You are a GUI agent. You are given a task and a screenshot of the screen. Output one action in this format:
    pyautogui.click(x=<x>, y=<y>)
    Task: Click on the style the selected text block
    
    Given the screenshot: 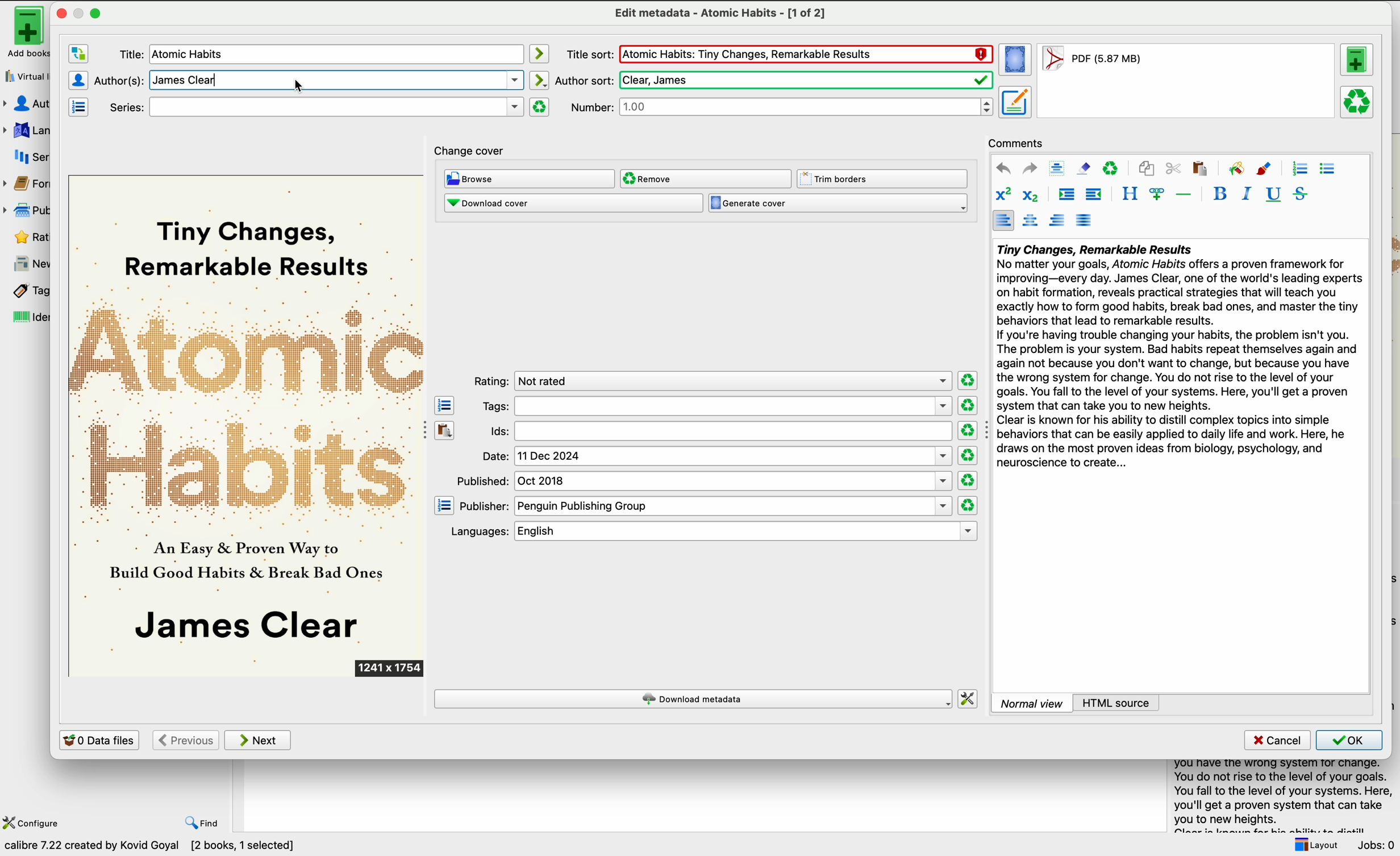 What is the action you would take?
    pyautogui.click(x=1129, y=194)
    